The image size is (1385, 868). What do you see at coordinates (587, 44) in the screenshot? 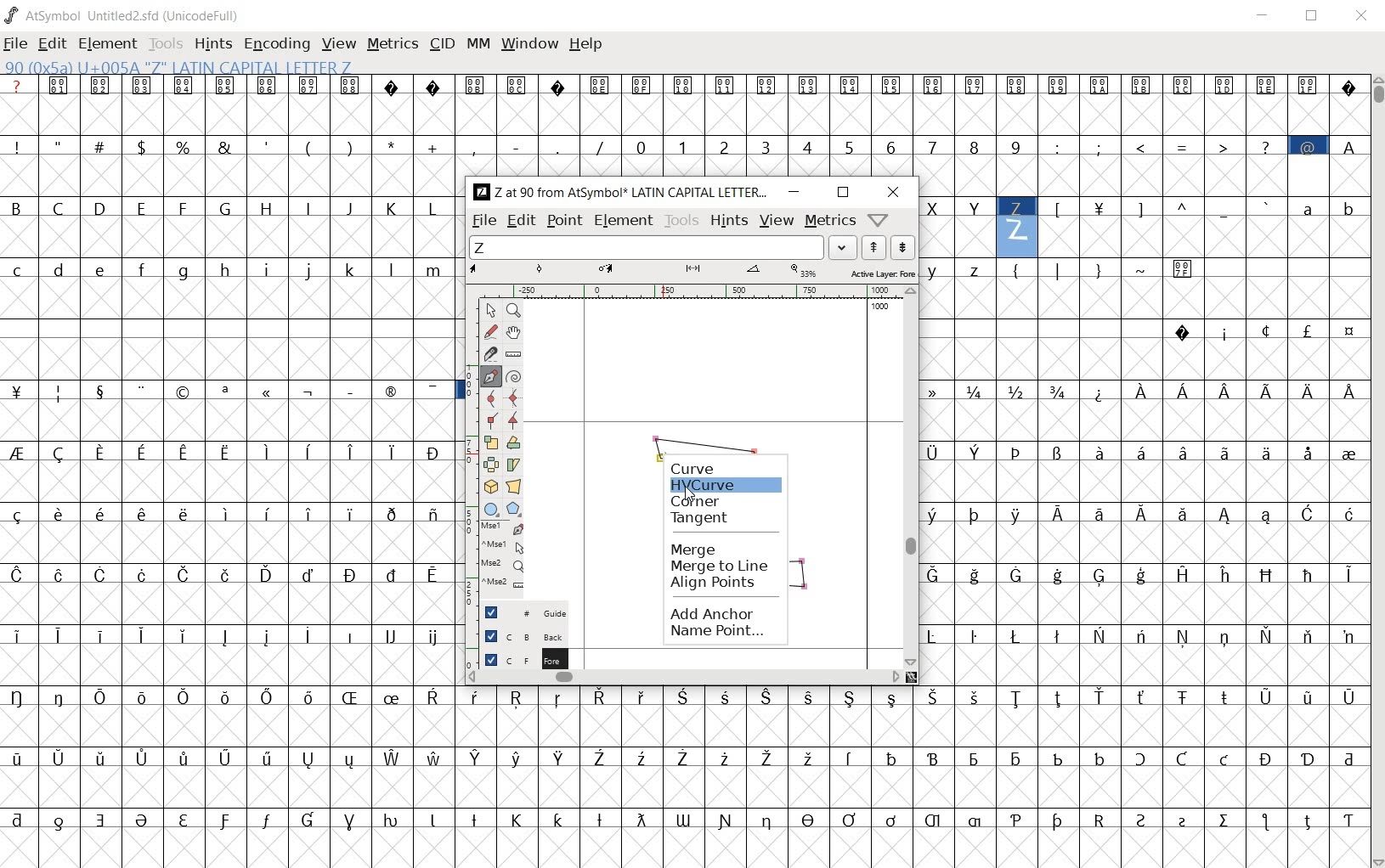
I see `help` at bounding box center [587, 44].